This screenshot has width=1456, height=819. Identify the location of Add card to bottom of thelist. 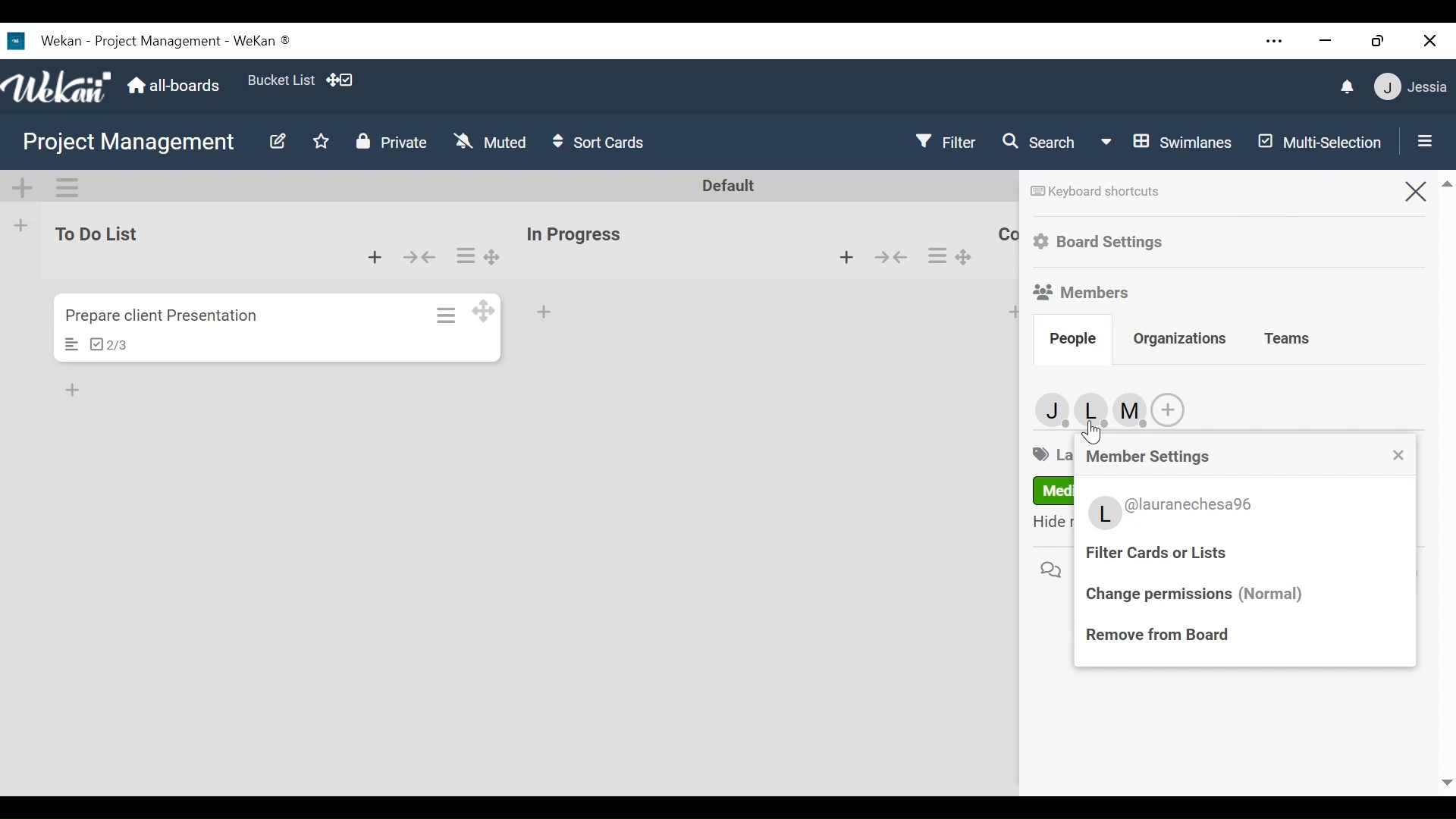
(375, 256).